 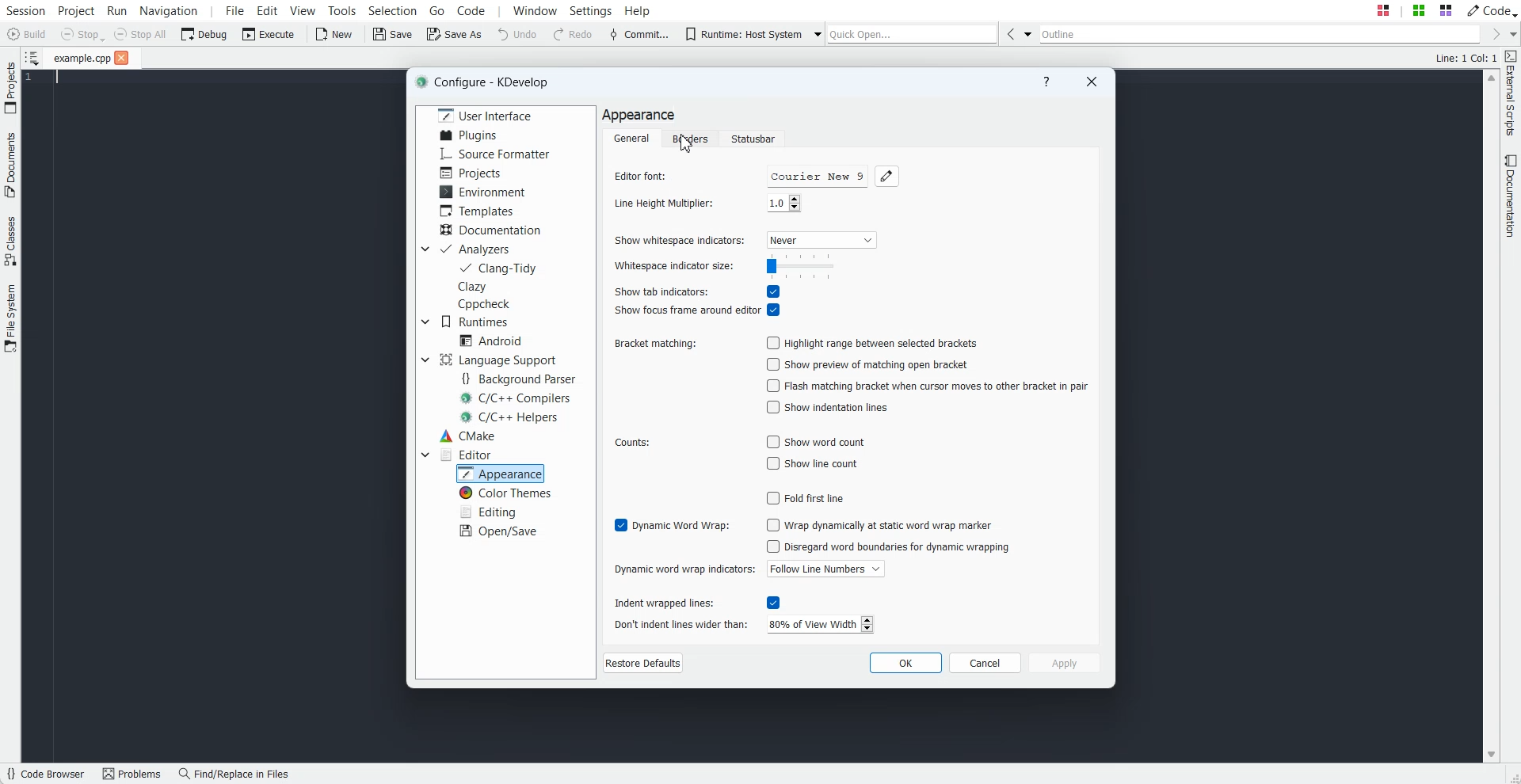 I want to click on Plugins, so click(x=471, y=135).